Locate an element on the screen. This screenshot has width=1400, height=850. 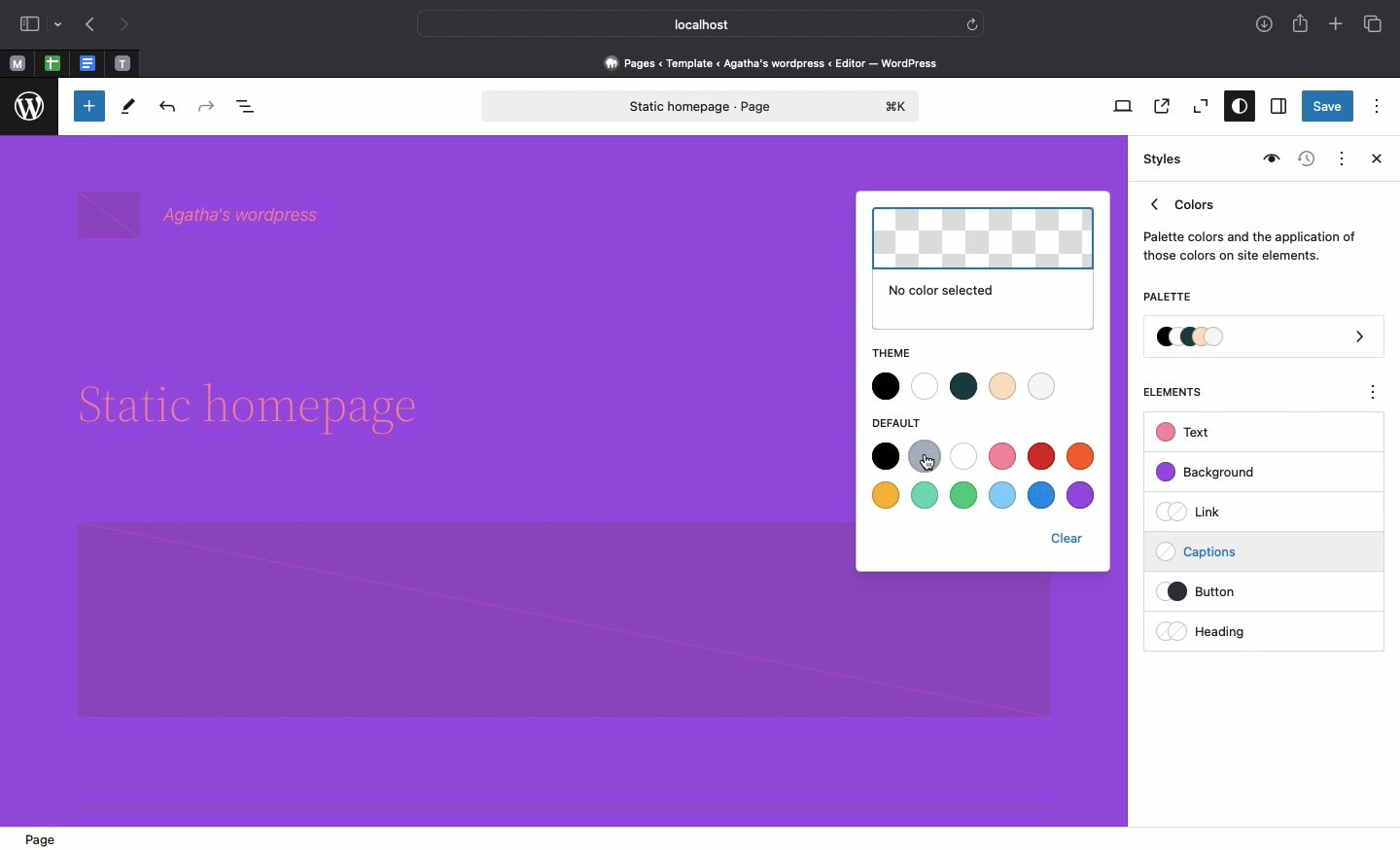
View is located at coordinates (1119, 106).